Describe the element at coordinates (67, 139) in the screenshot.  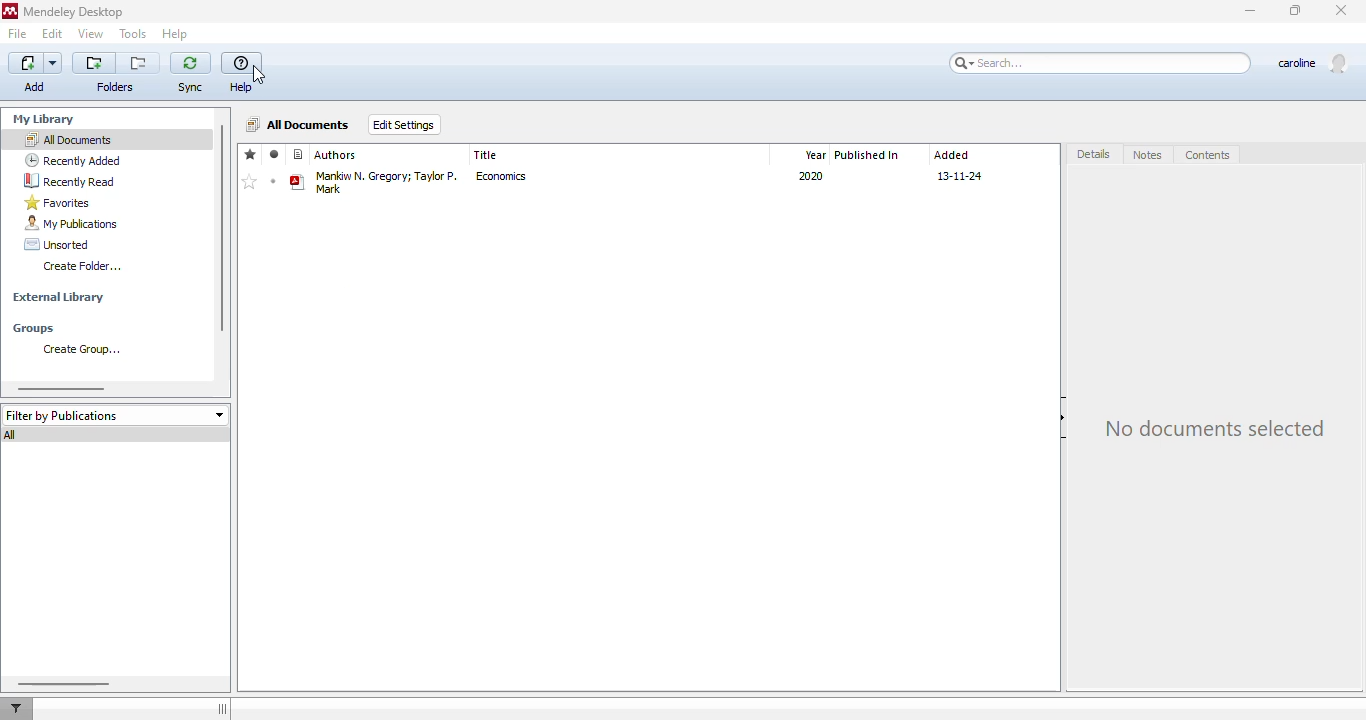
I see `all documents` at that location.